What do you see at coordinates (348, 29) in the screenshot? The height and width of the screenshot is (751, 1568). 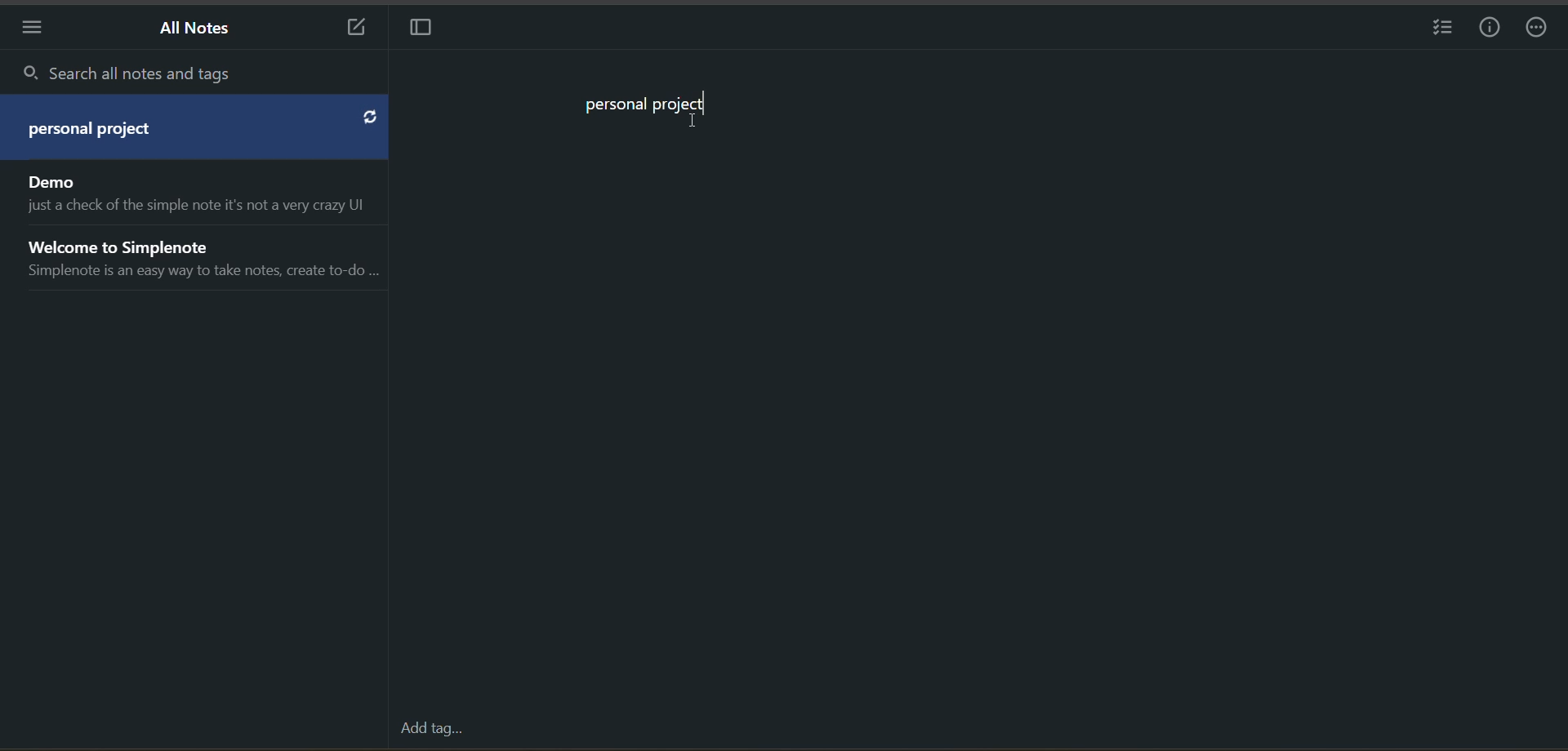 I see `new note` at bounding box center [348, 29].